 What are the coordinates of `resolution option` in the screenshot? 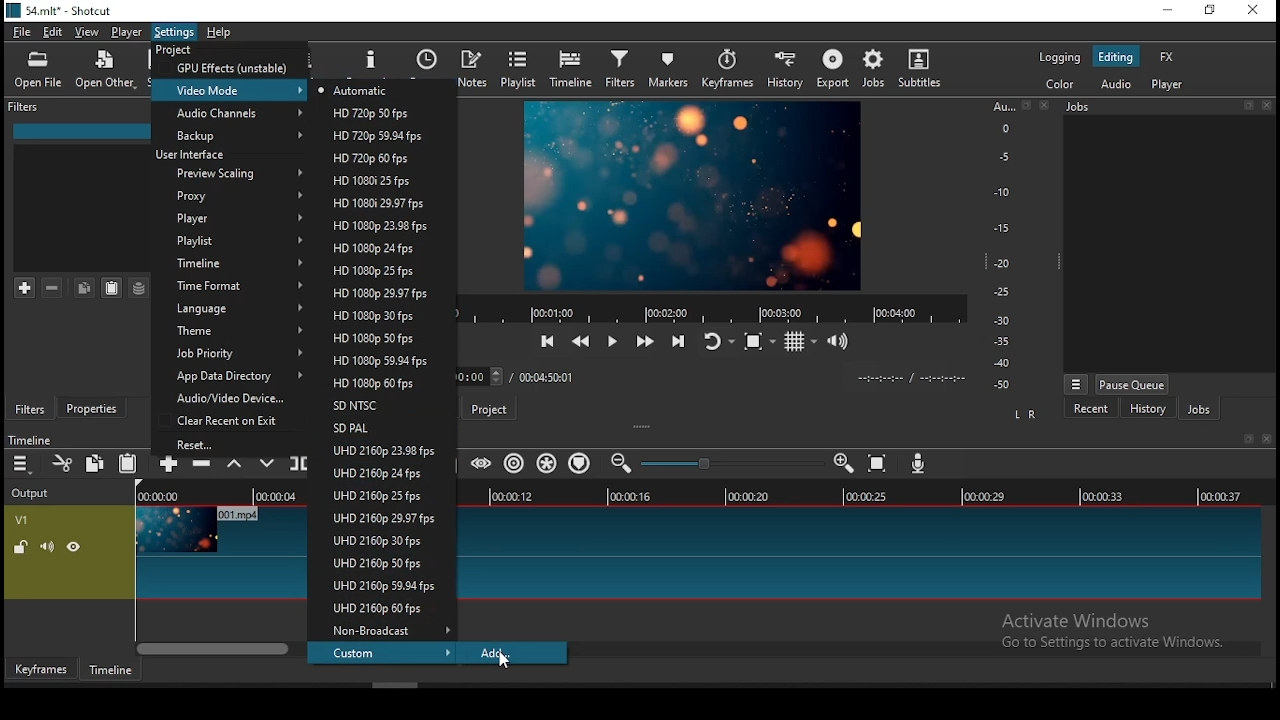 It's located at (383, 630).